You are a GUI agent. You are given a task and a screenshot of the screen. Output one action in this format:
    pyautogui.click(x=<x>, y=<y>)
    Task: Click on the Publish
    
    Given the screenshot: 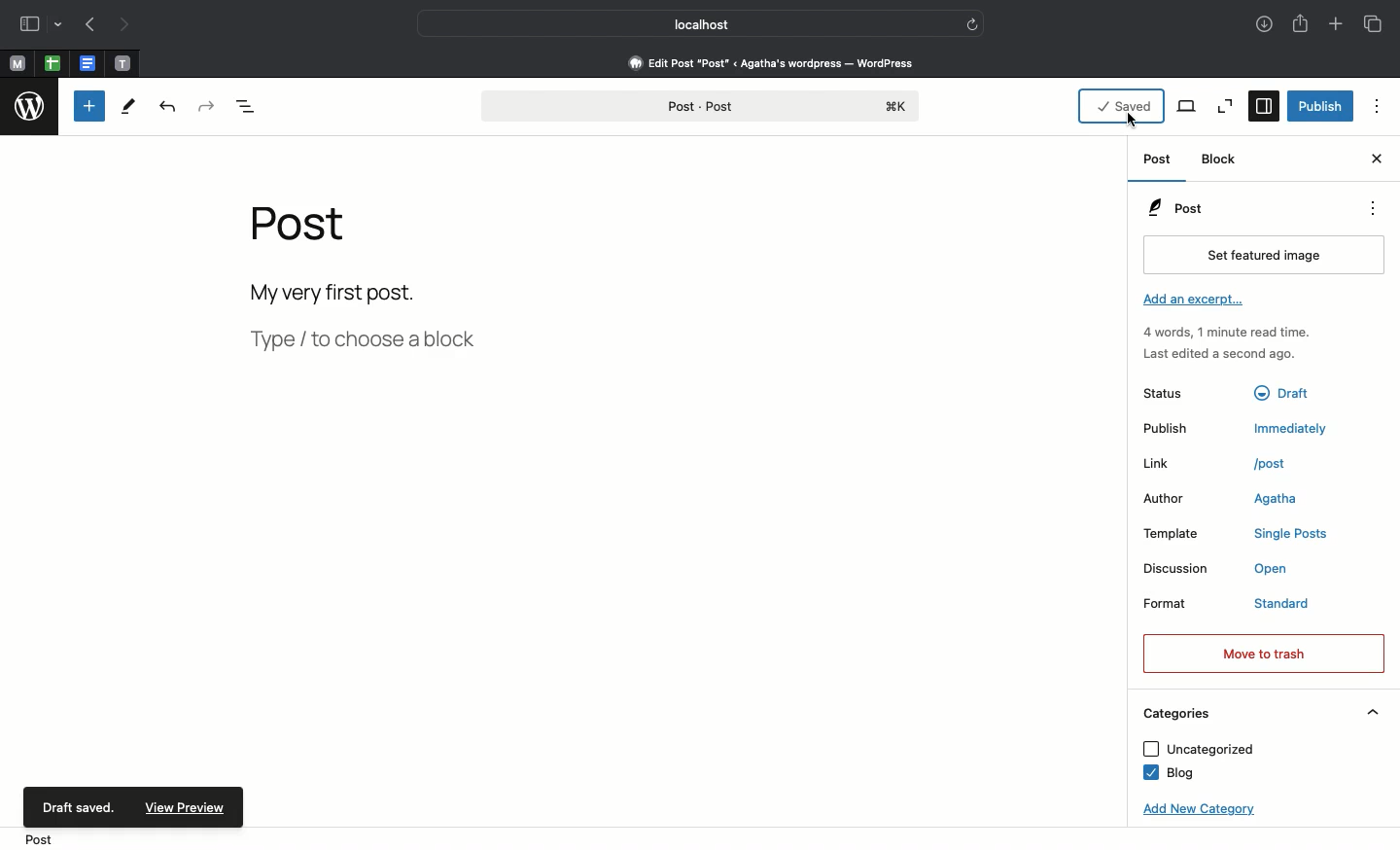 What is the action you would take?
    pyautogui.click(x=1179, y=429)
    